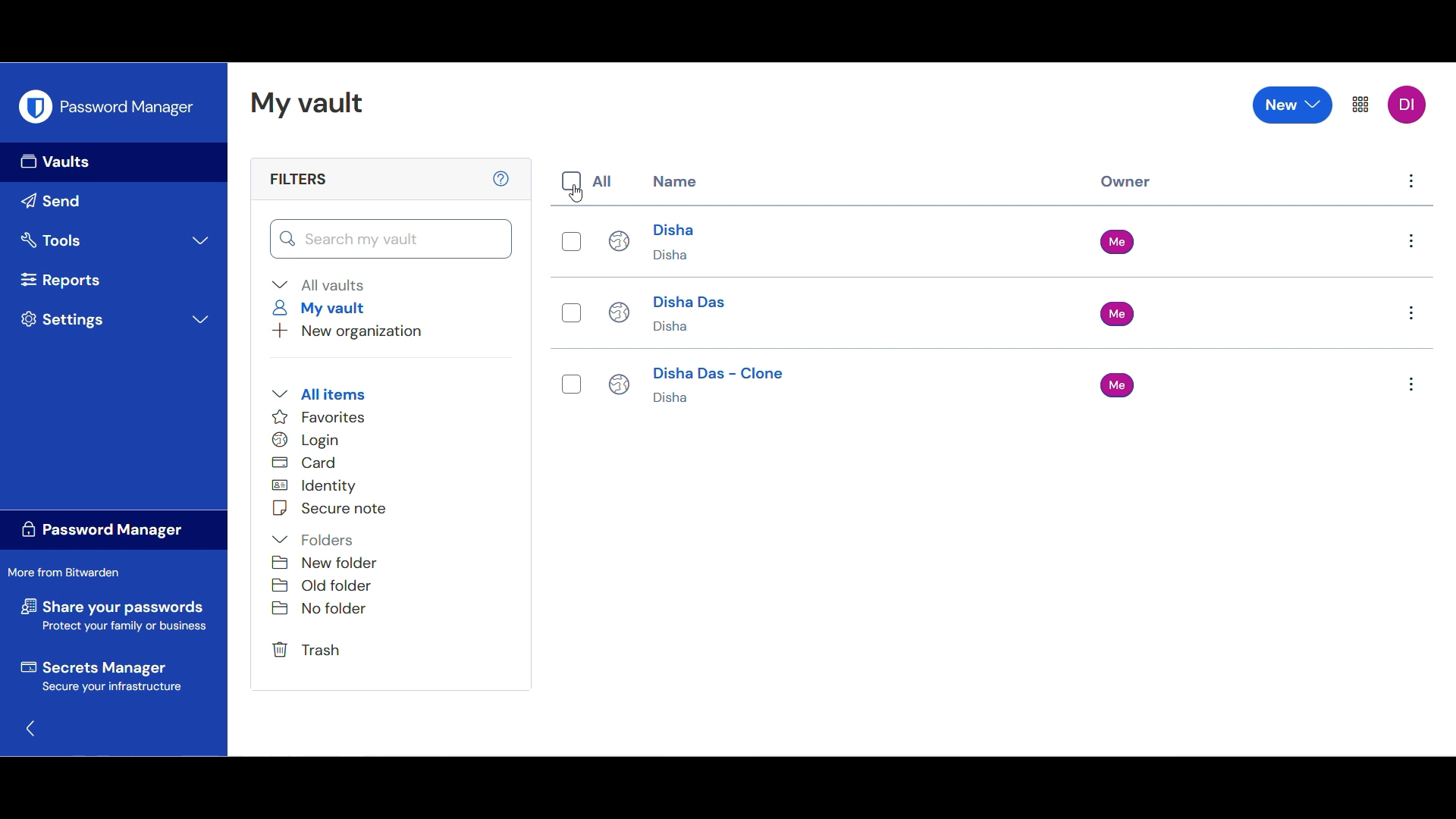 The width and height of the screenshot is (1456, 819). Describe the element at coordinates (297, 178) in the screenshot. I see `Filters` at that location.